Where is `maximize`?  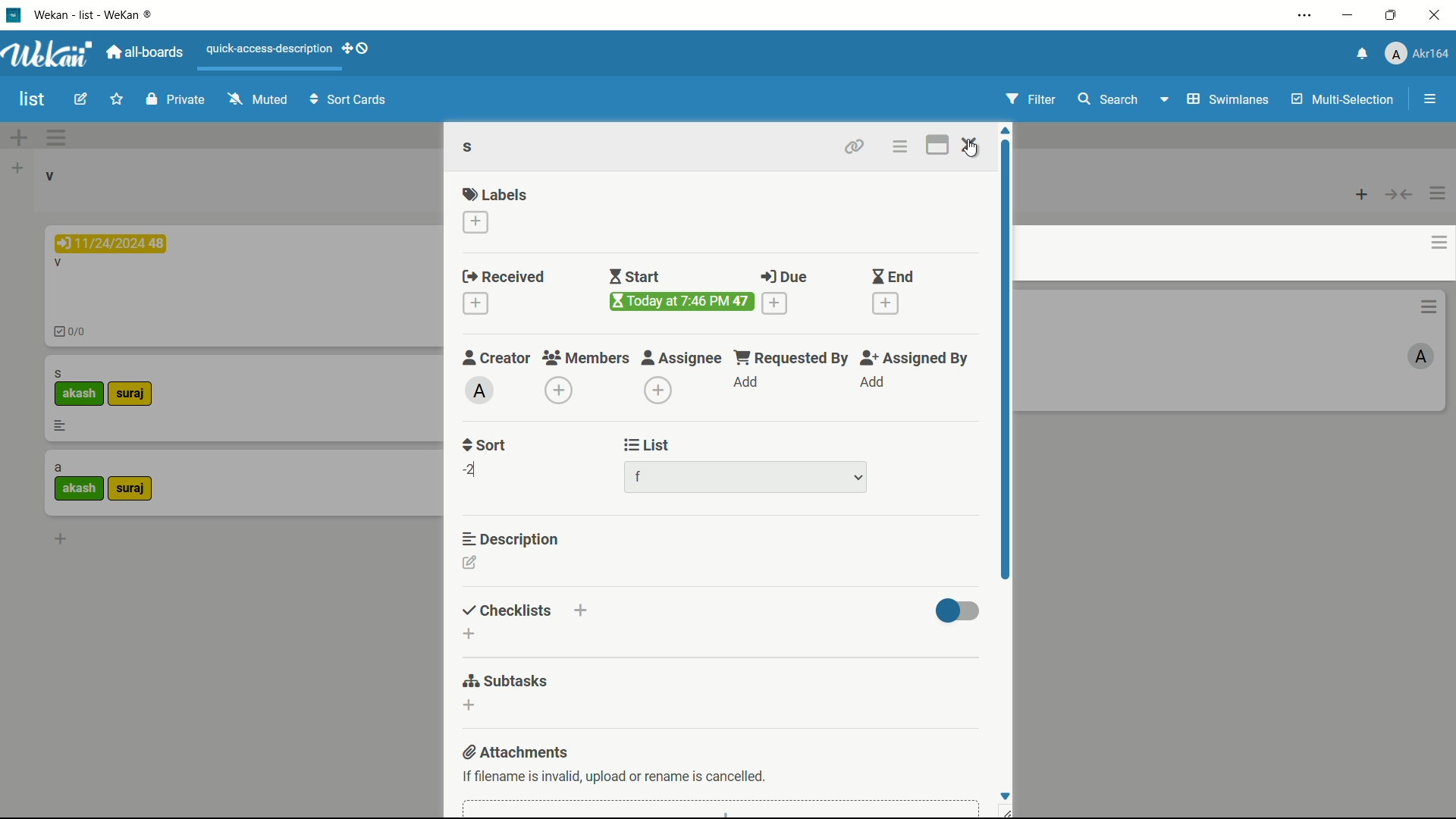
maximize is located at coordinates (1391, 16).